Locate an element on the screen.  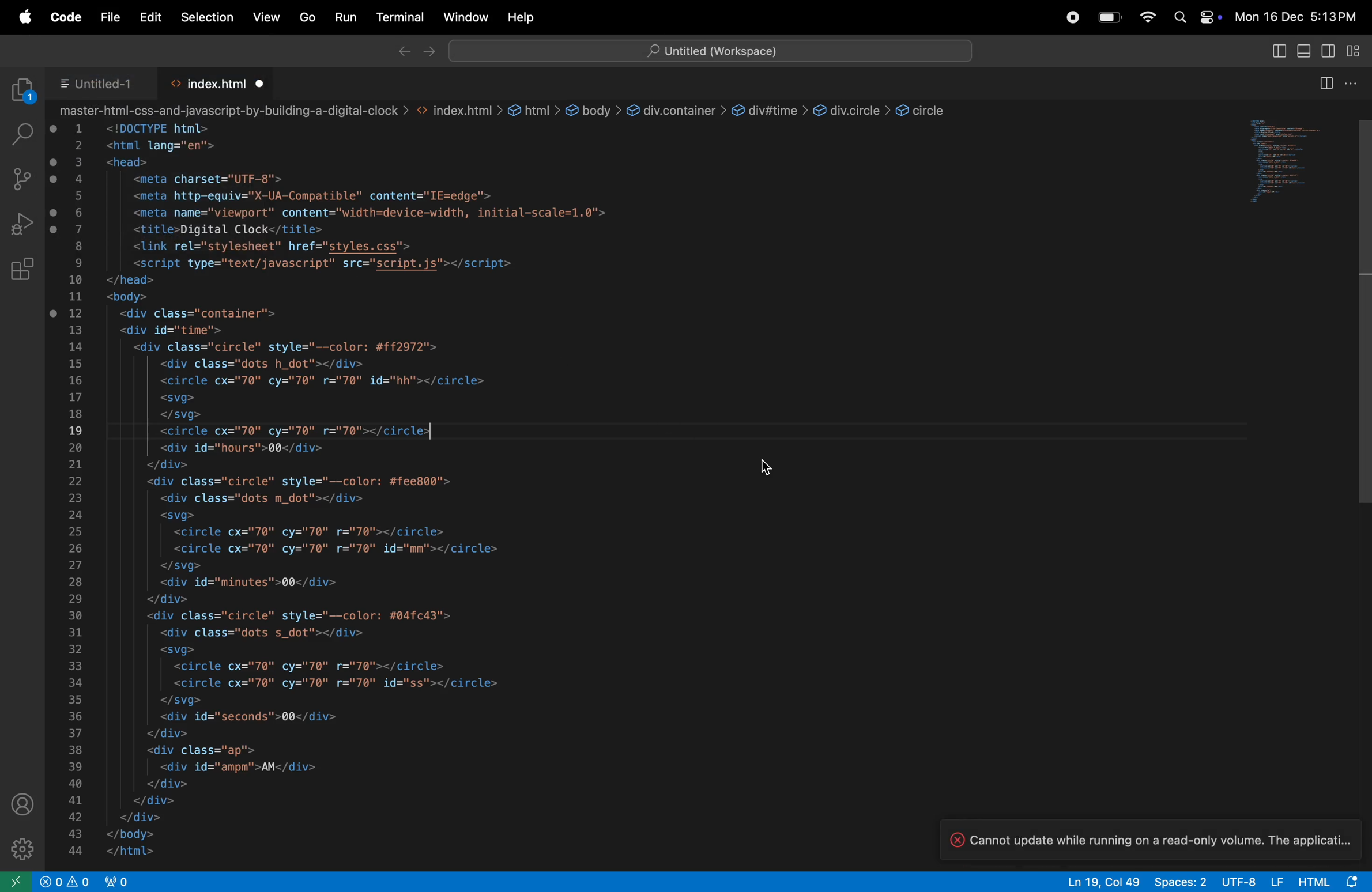
</head> i is located at coordinates (131, 281).